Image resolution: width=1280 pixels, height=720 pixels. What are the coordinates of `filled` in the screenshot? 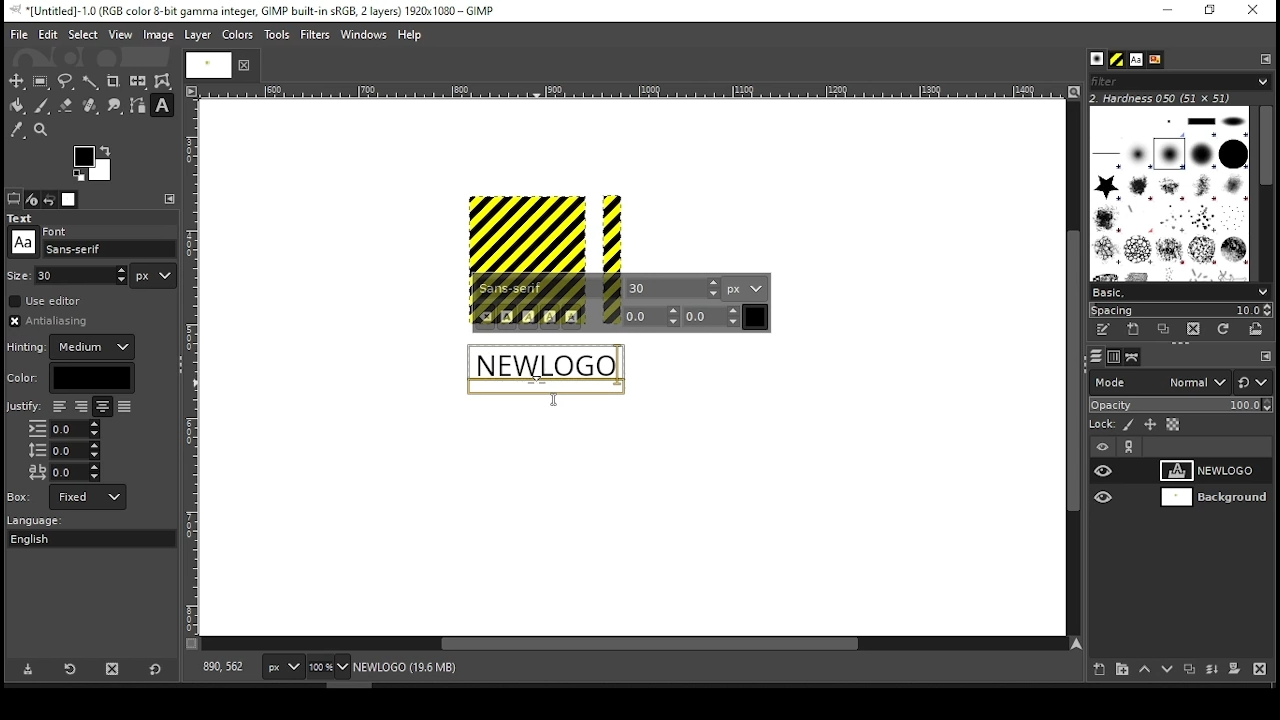 It's located at (124, 408).